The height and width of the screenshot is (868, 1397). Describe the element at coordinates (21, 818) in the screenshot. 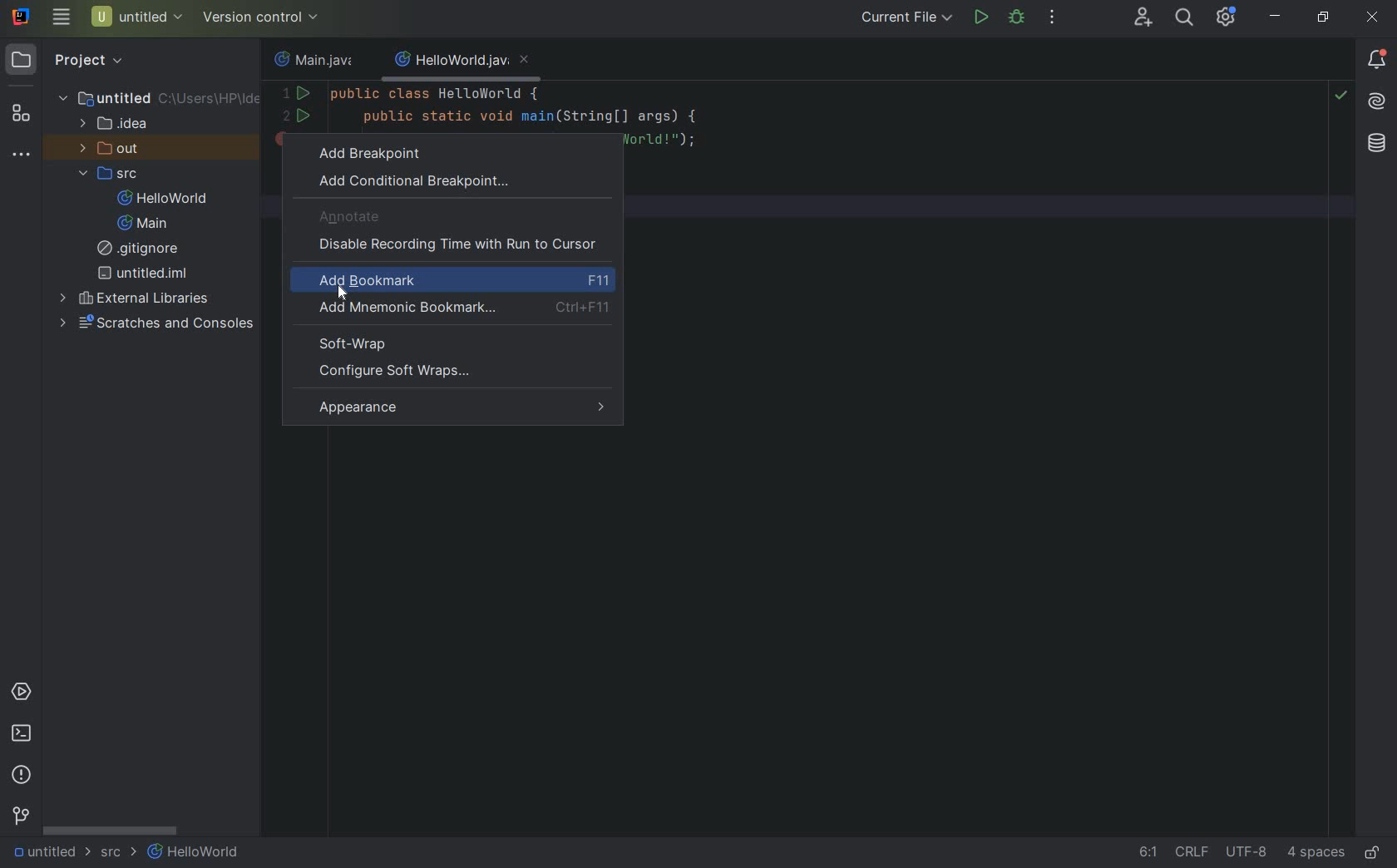

I see `version control` at that location.